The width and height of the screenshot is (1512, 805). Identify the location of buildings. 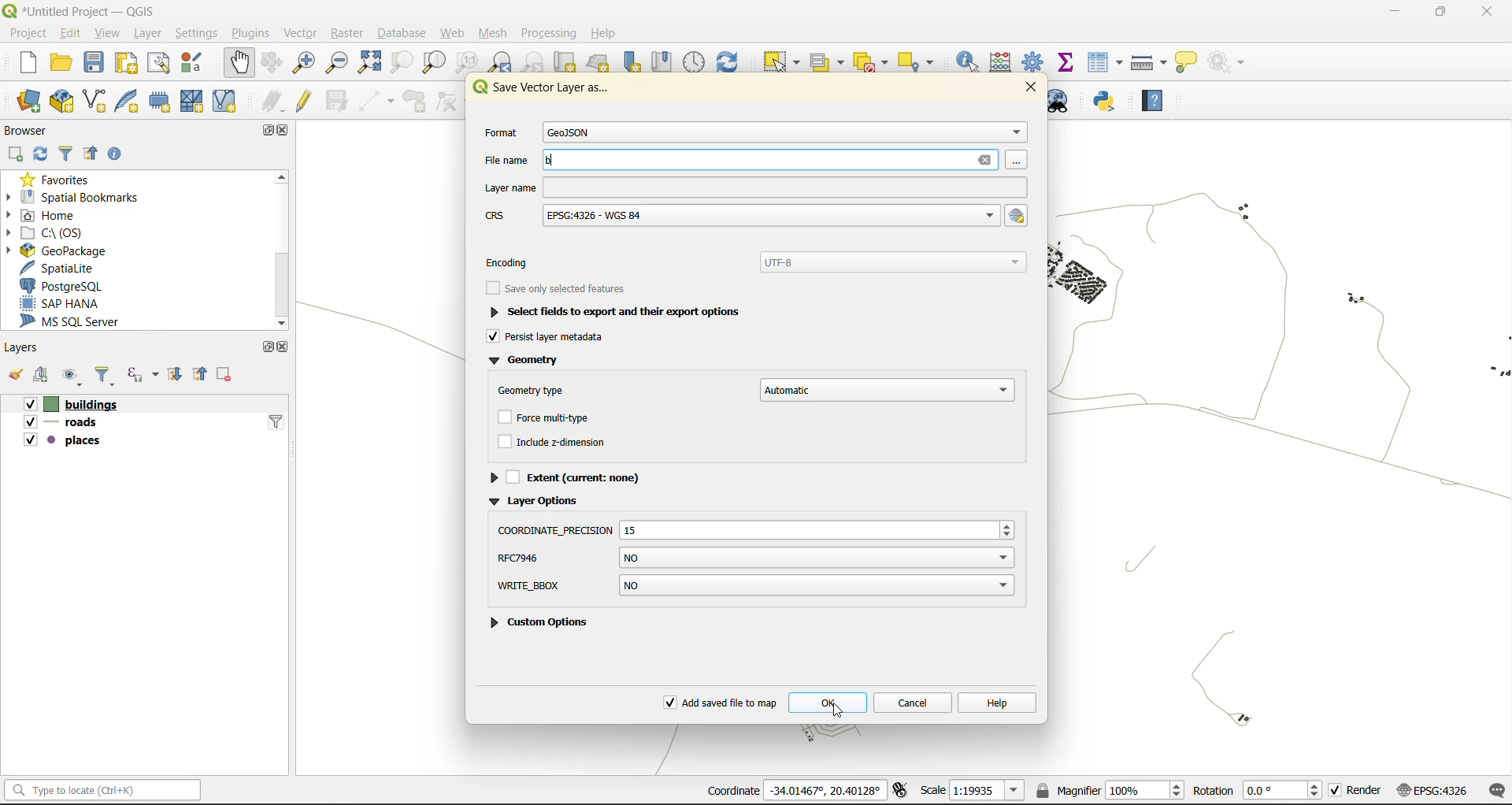
(66, 403).